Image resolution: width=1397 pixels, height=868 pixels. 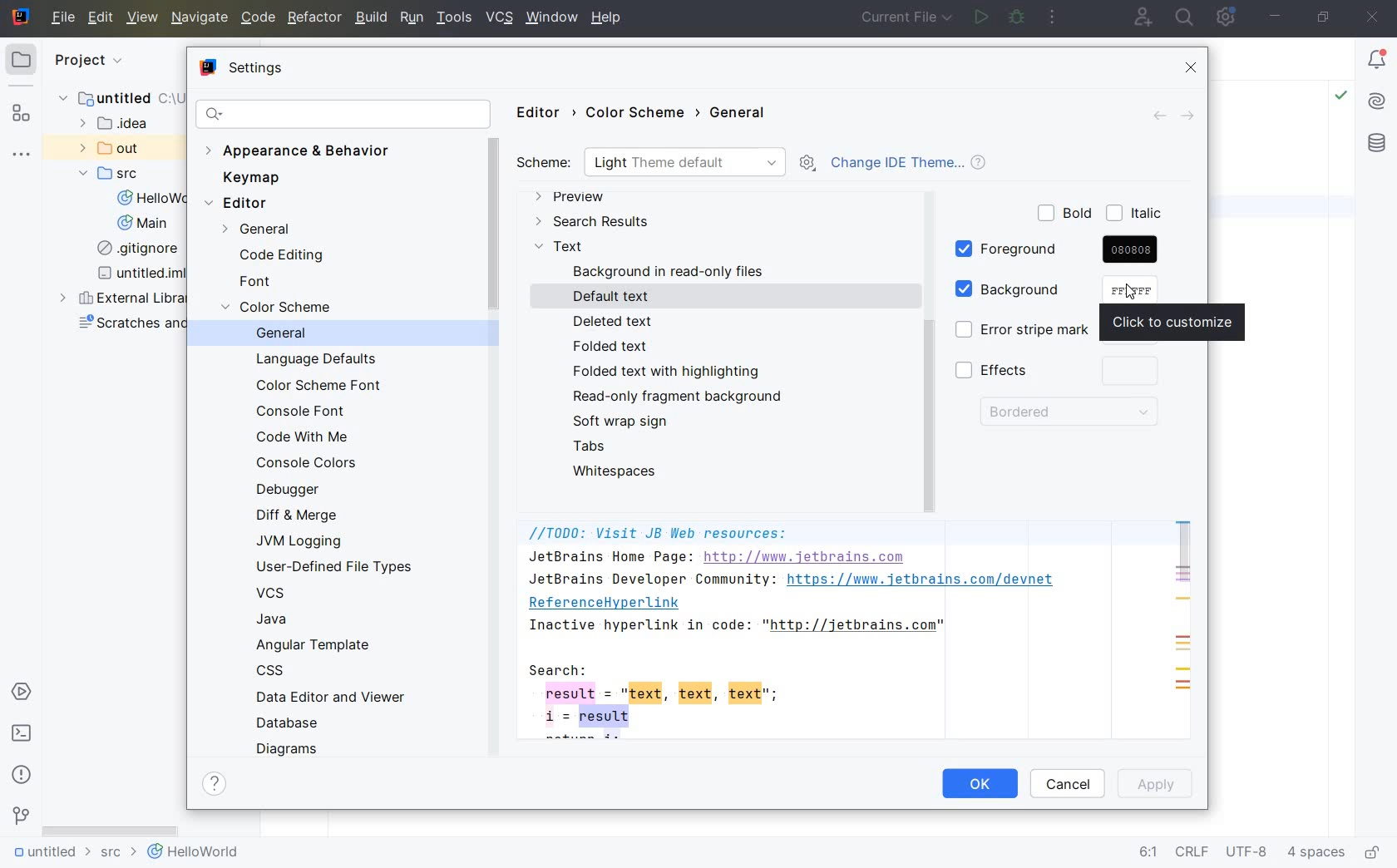 I want to click on CODE EDITING, so click(x=280, y=257).